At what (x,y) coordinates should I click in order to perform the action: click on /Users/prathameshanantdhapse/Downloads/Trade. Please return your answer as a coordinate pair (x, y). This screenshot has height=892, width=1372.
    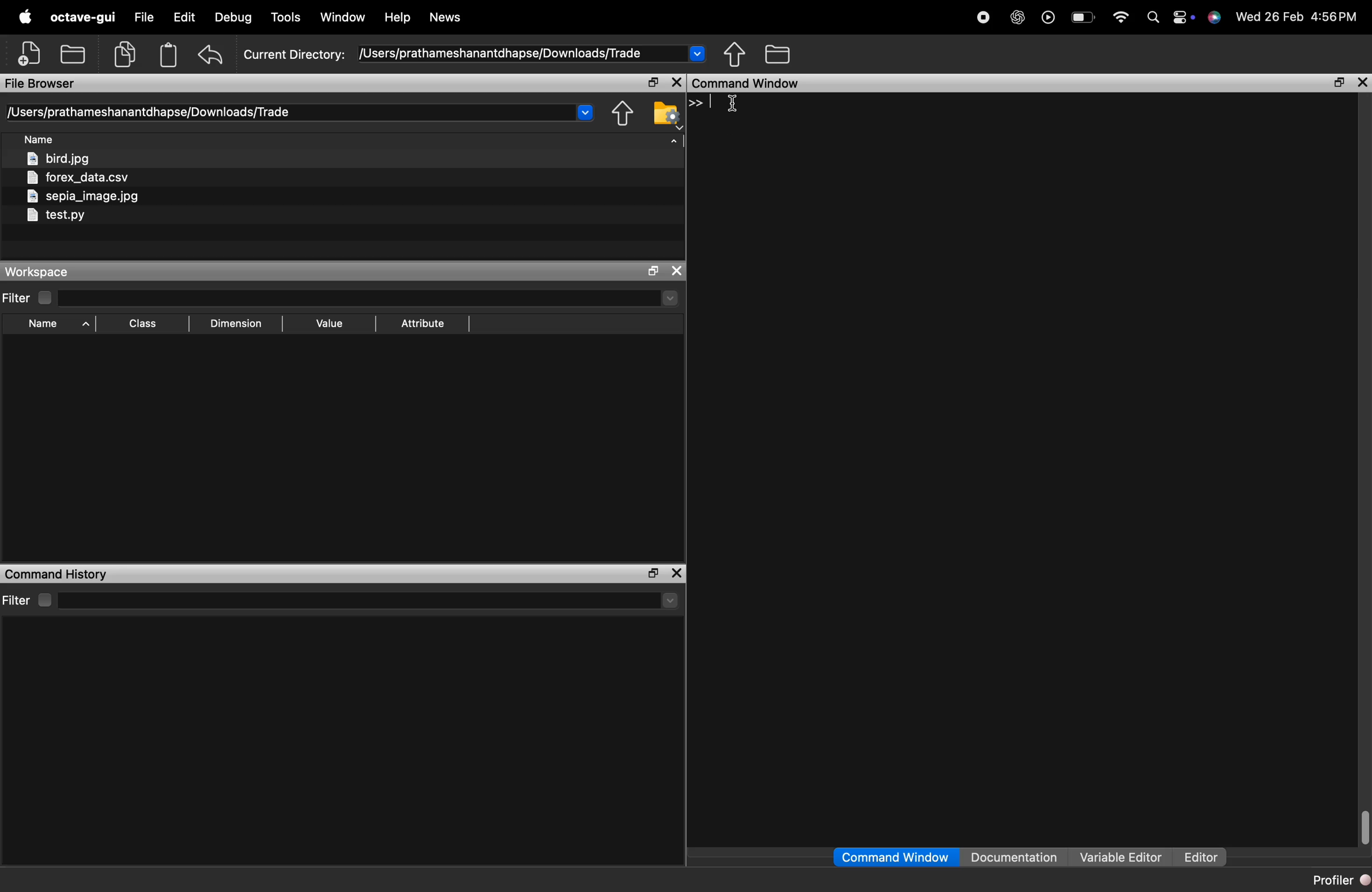
    Looking at the image, I should click on (501, 54).